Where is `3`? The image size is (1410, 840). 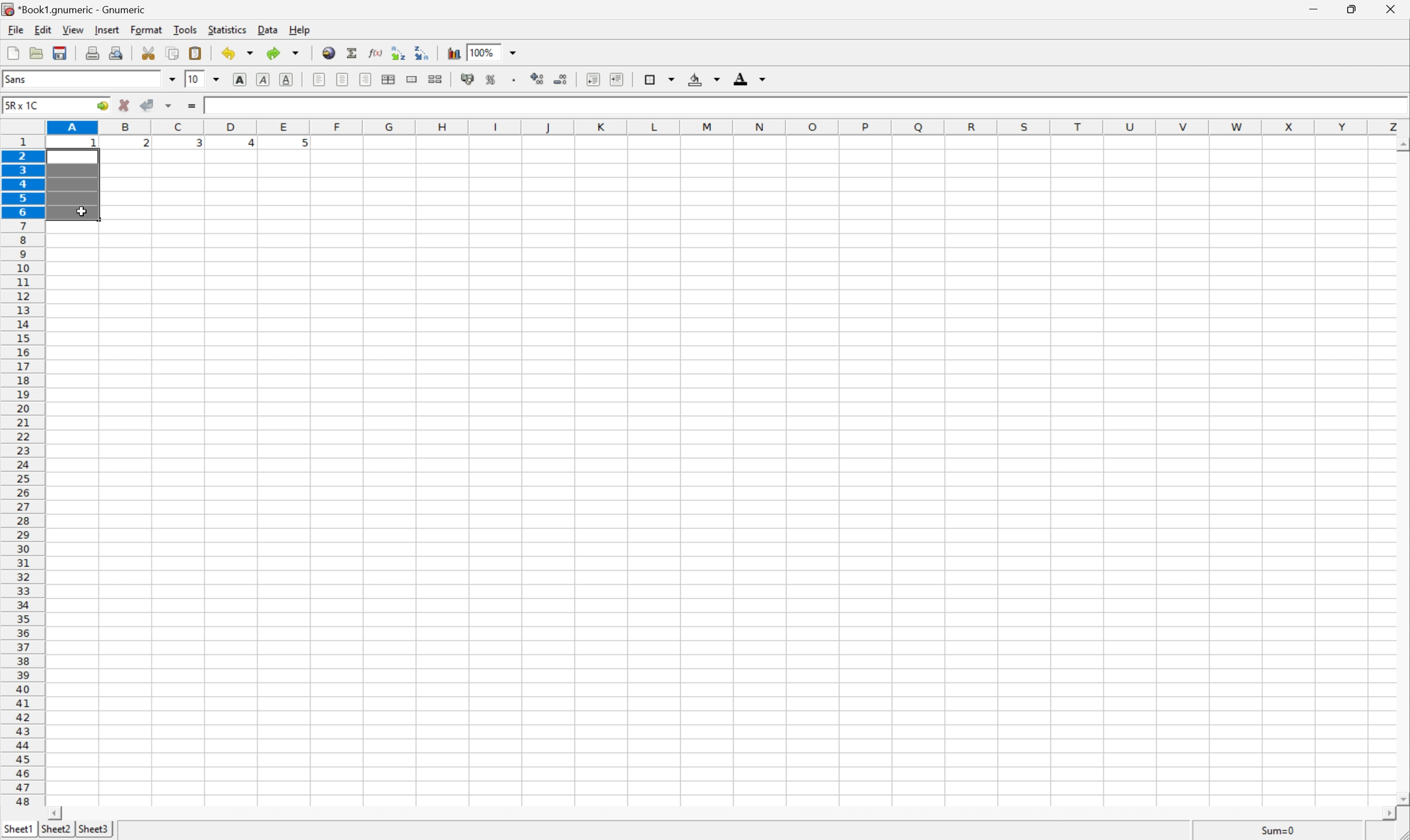 3 is located at coordinates (198, 145).